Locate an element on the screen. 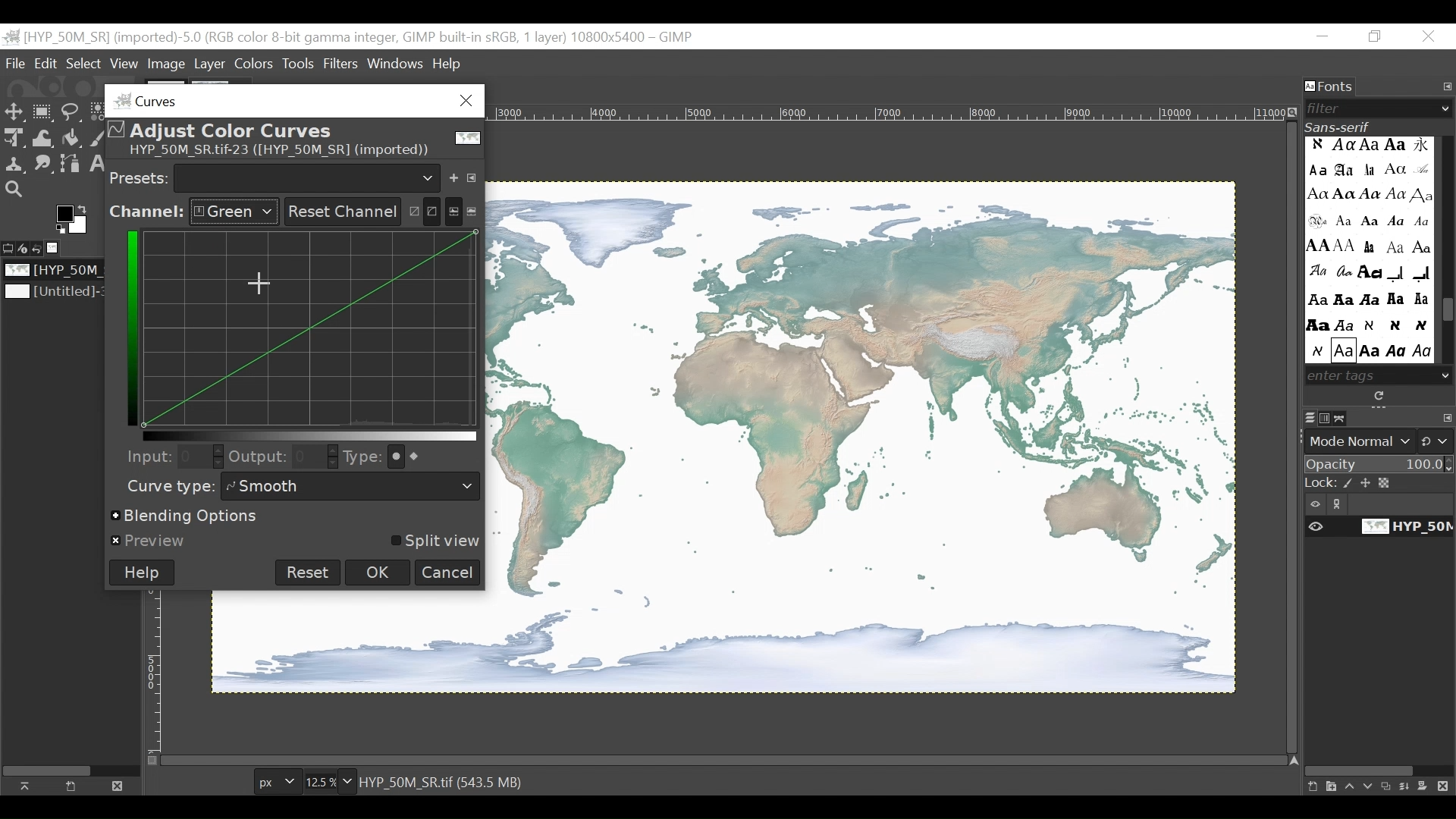  Vertical Gradient bar is located at coordinates (129, 327).